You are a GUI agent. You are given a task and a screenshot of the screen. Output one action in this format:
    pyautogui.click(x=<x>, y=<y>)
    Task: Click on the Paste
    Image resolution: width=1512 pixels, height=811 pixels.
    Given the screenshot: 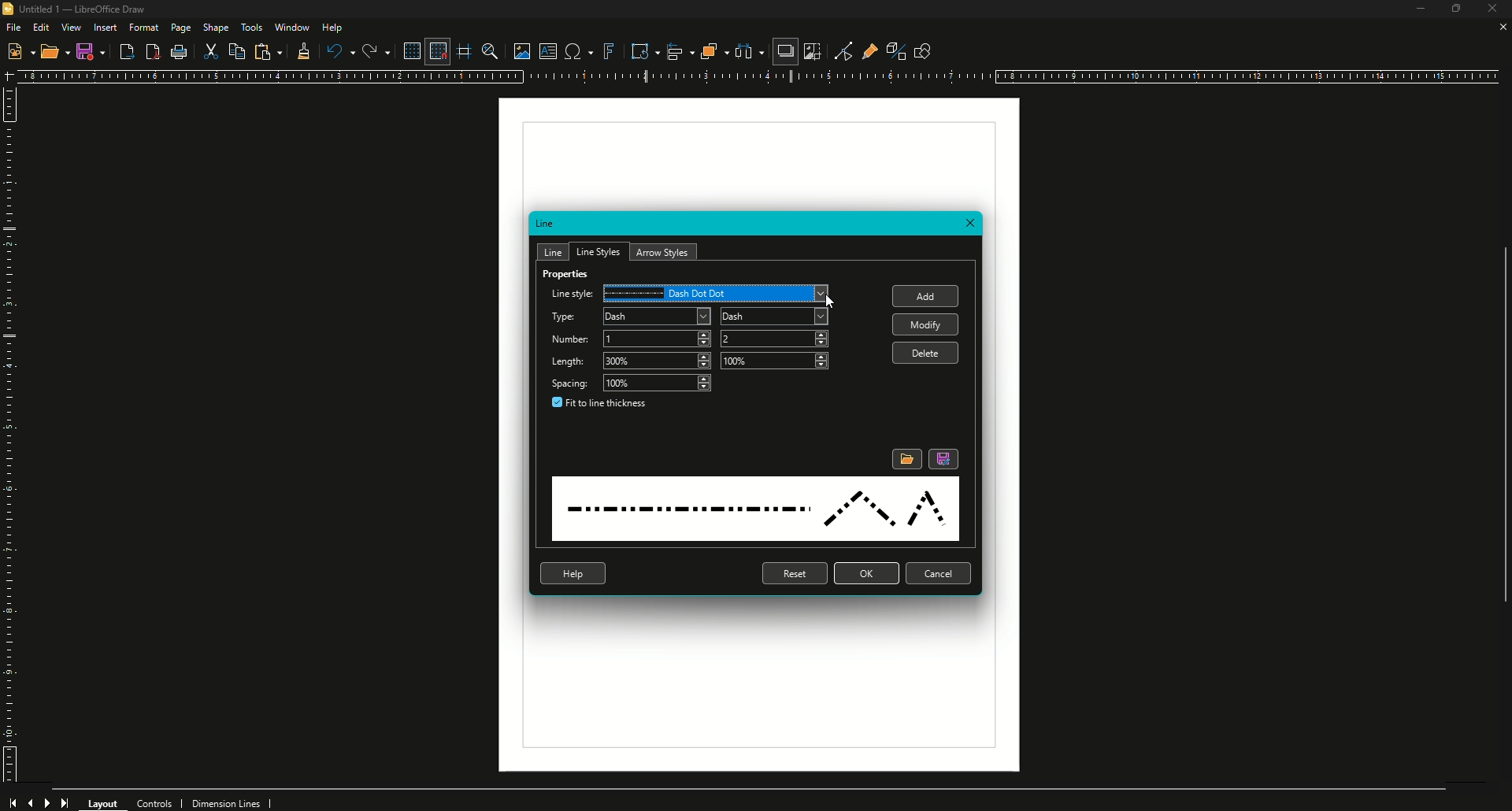 What is the action you would take?
    pyautogui.click(x=268, y=52)
    